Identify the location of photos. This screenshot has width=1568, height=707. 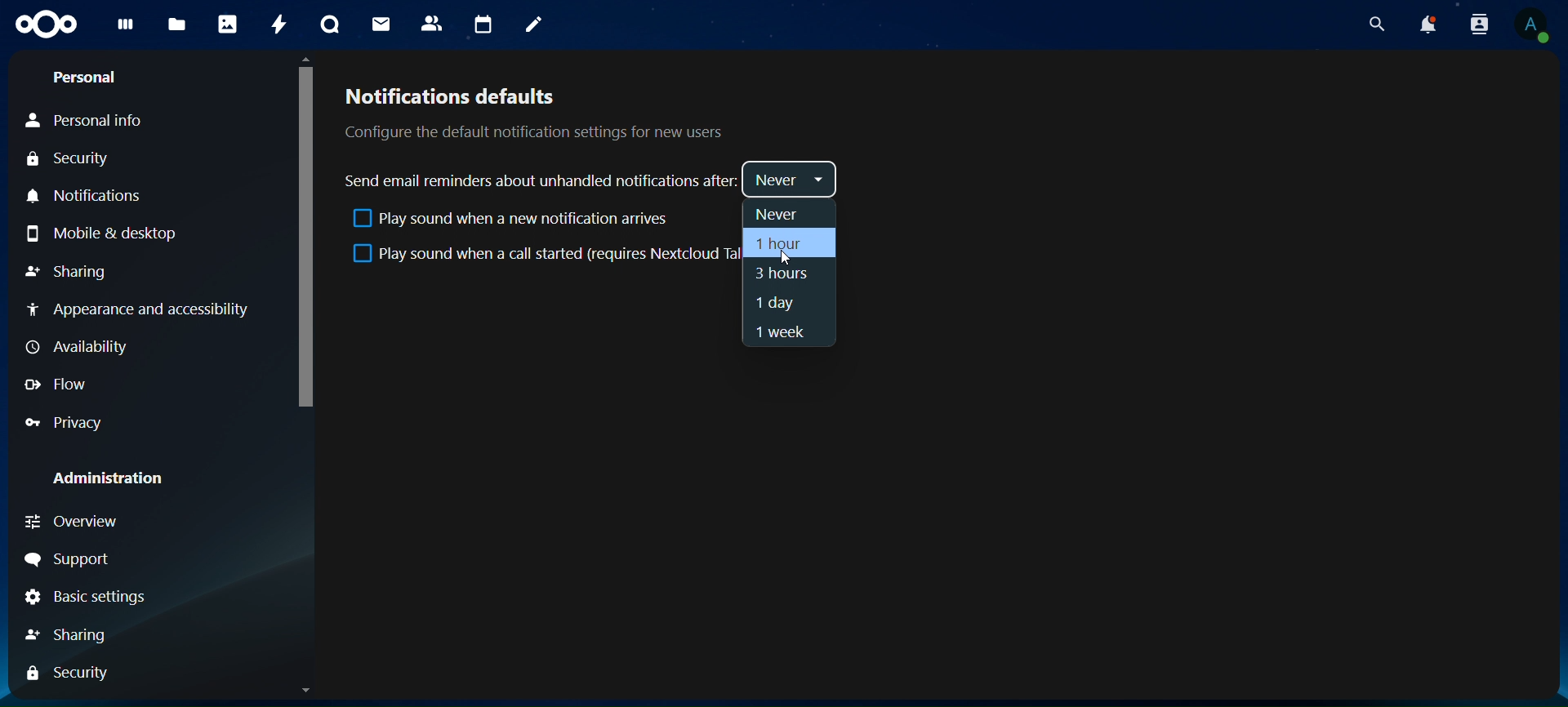
(226, 24).